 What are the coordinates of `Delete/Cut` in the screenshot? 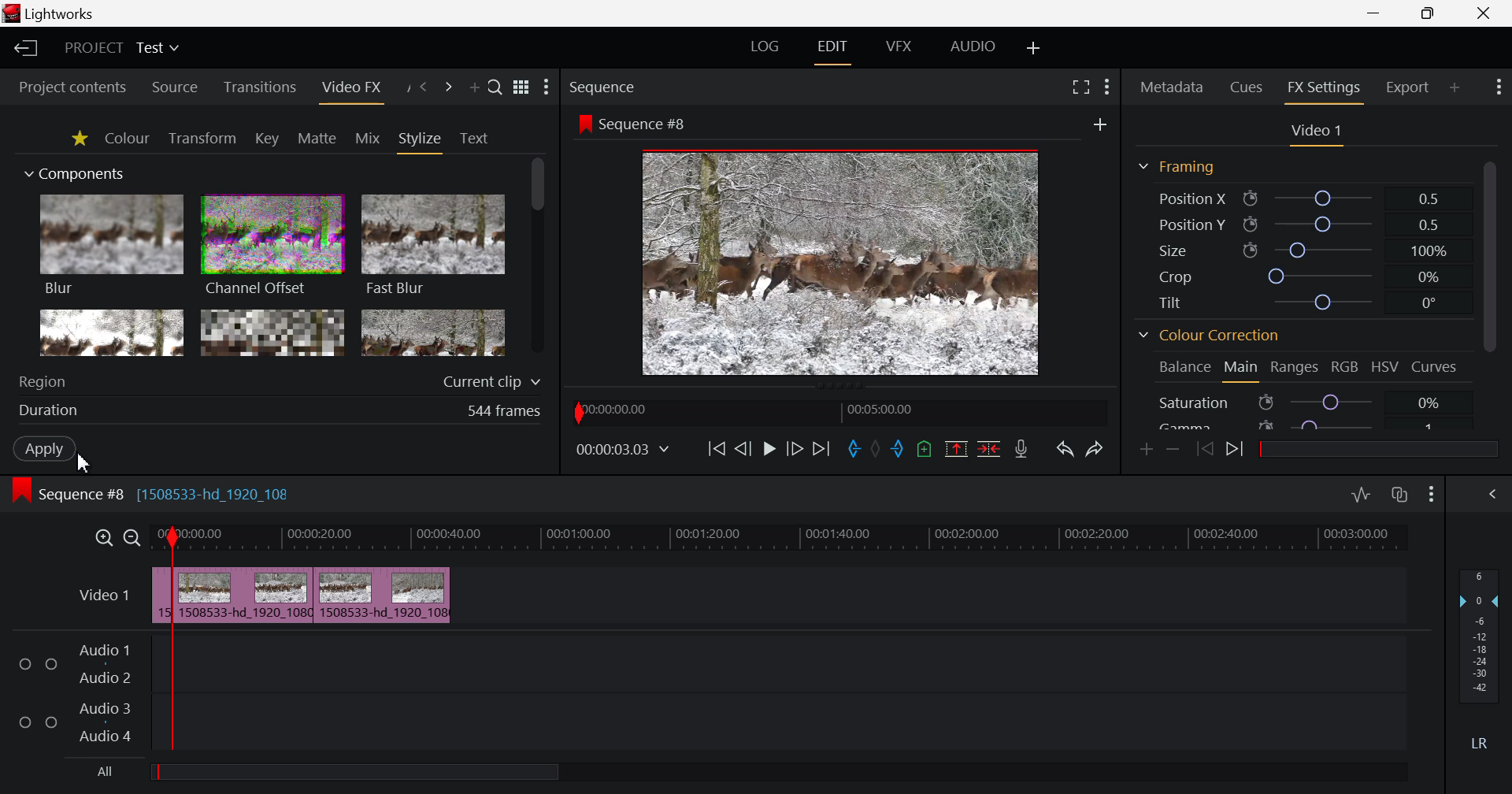 It's located at (989, 449).